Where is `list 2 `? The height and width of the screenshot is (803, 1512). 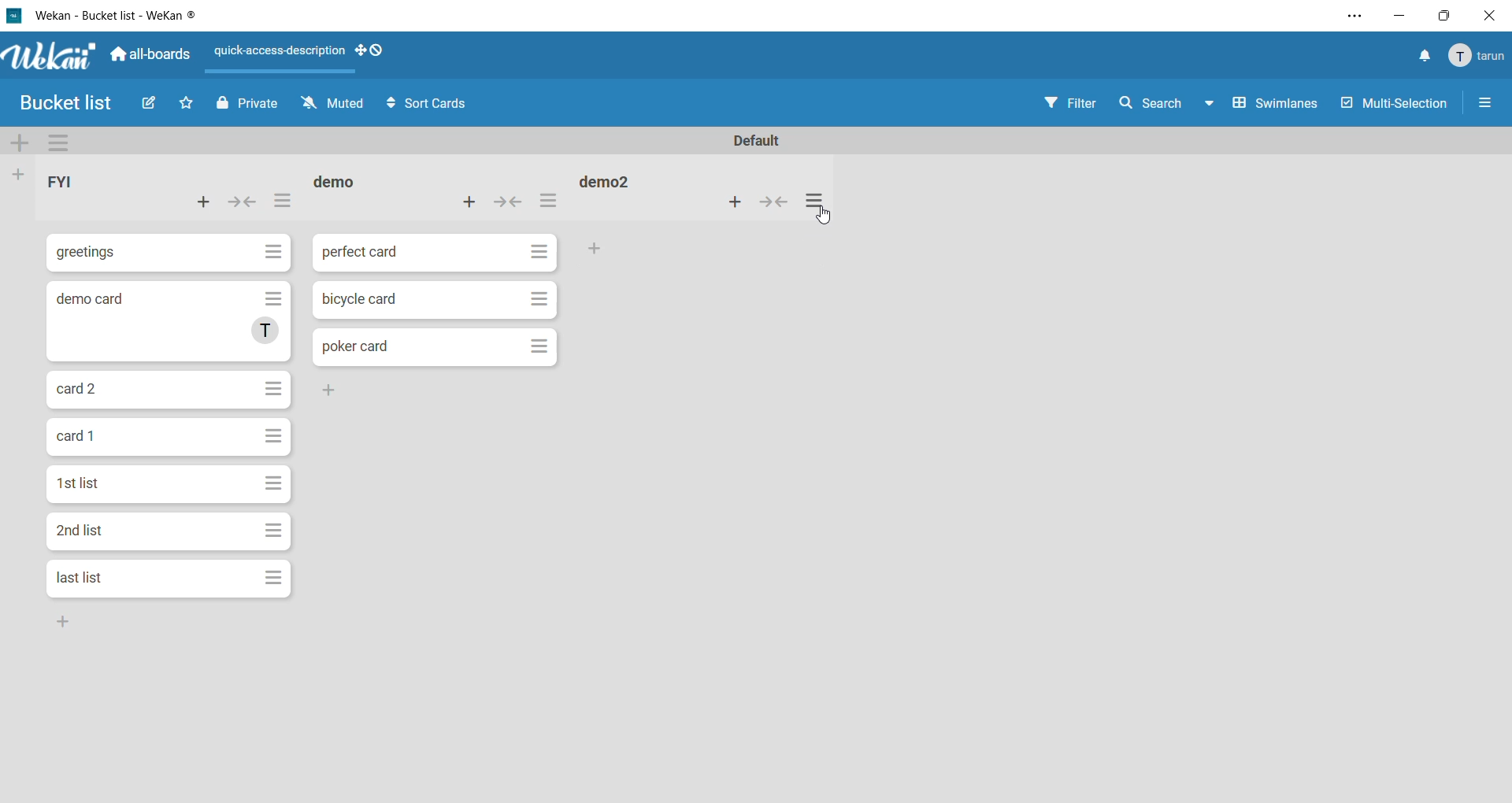 list 2  is located at coordinates (355, 180).